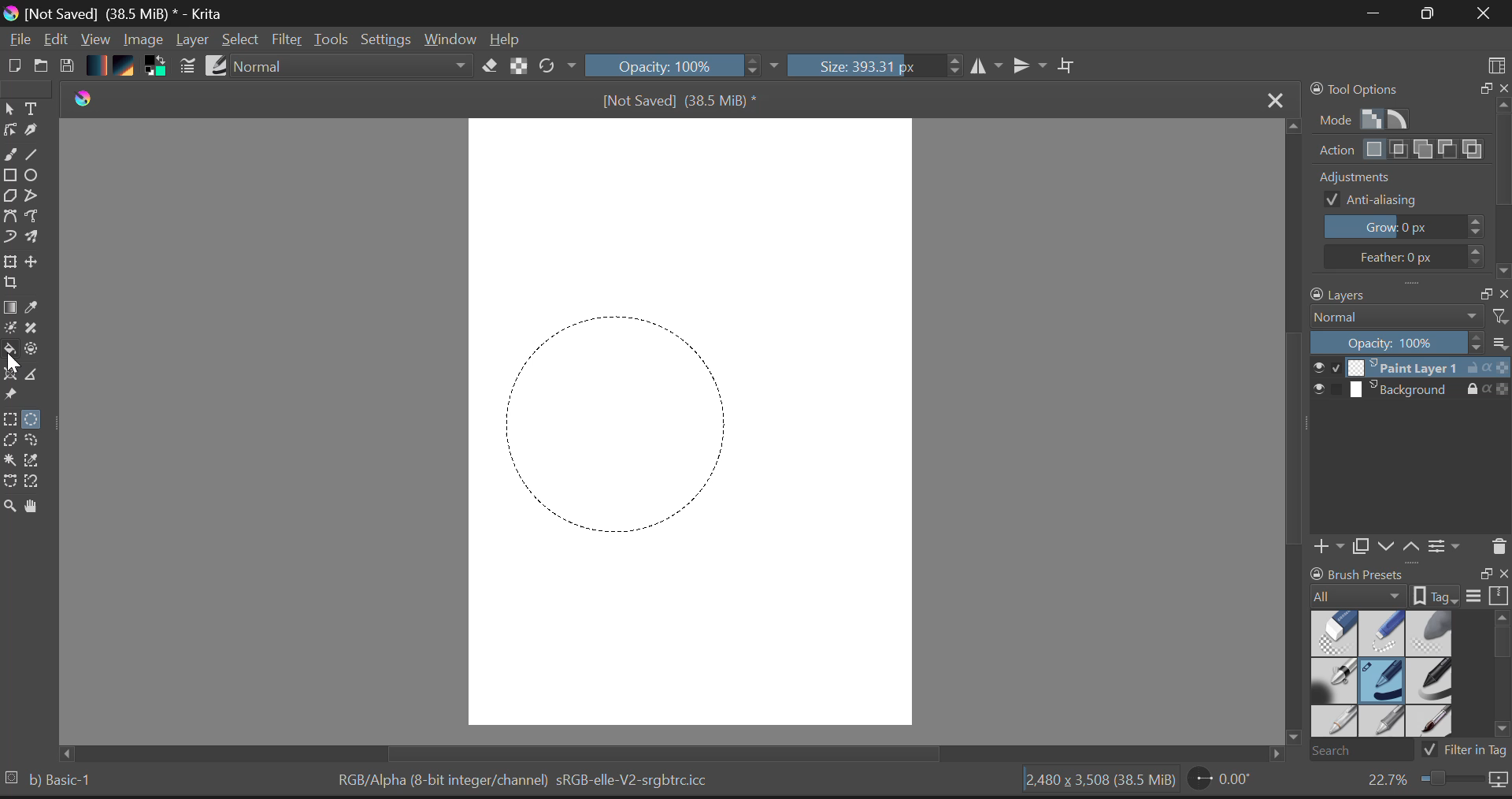 Image resolution: width=1512 pixels, height=799 pixels. What do you see at coordinates (34, 331) in the screenshot?
I see `Smart Patch Tool` at bounding box center [34, 331].